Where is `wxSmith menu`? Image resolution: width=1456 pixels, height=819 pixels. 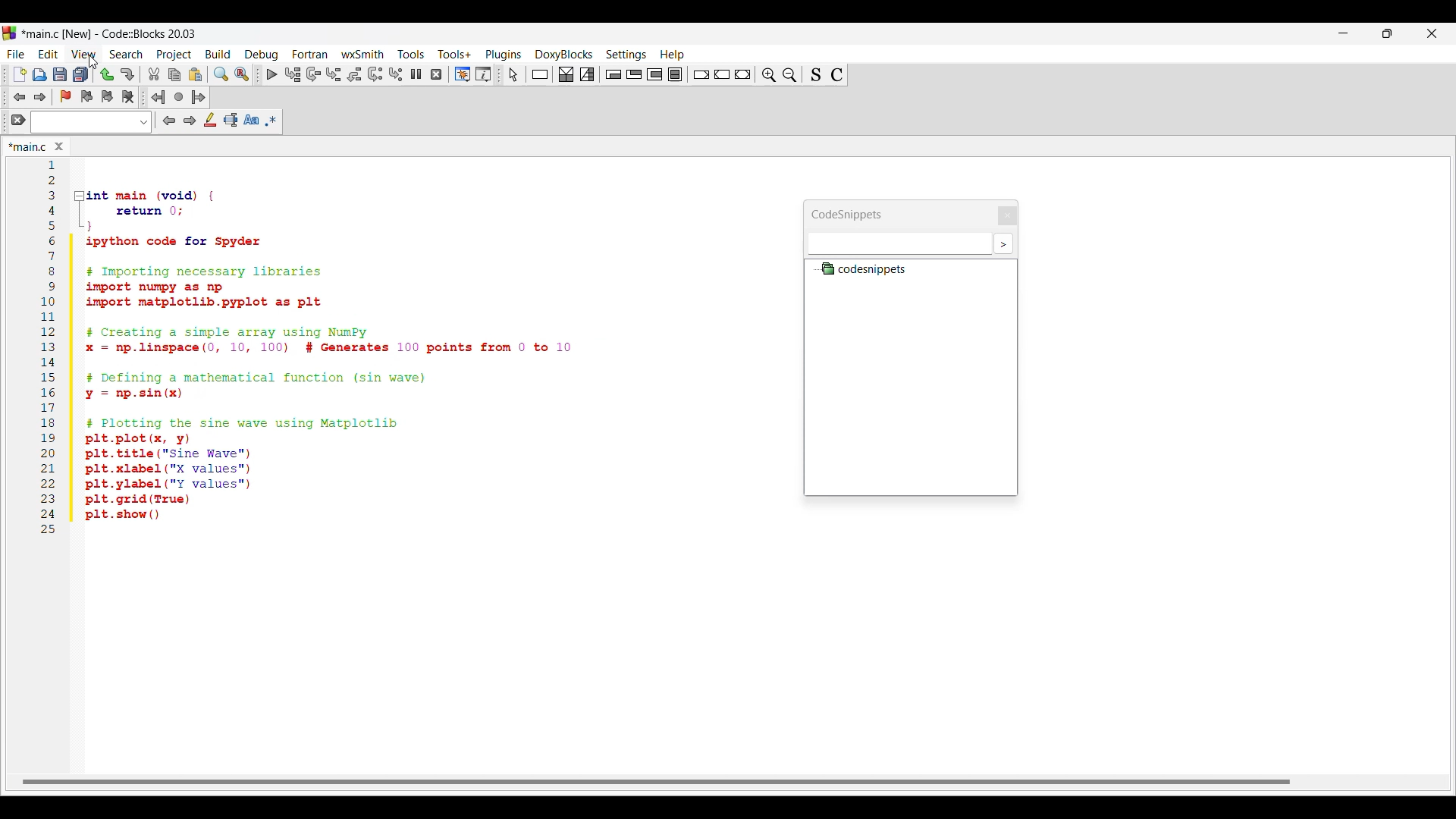 wxSmith menu is located at coordinates (362, 54).